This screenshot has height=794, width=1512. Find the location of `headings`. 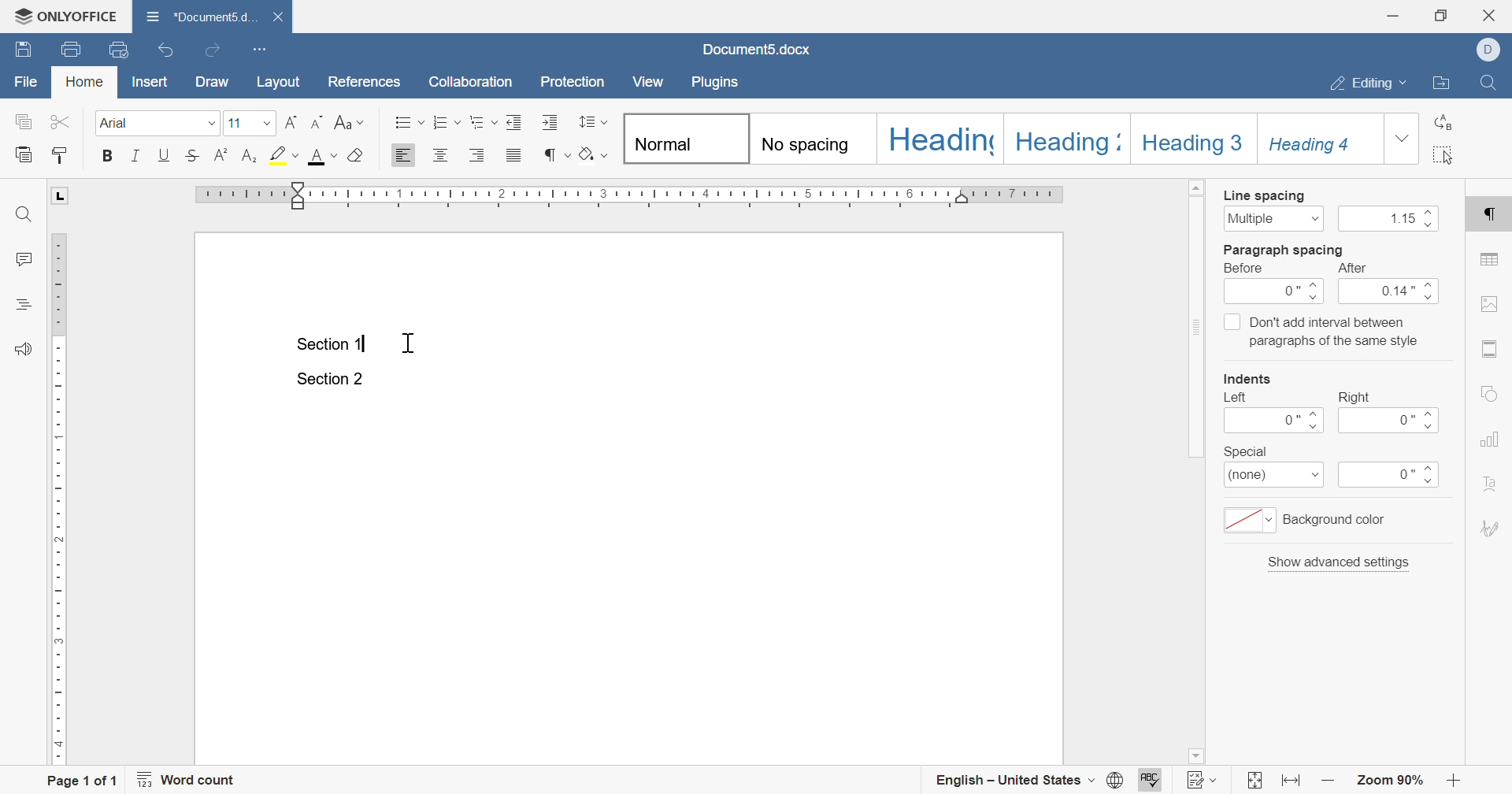

headings is located at coordinates (21, 305).